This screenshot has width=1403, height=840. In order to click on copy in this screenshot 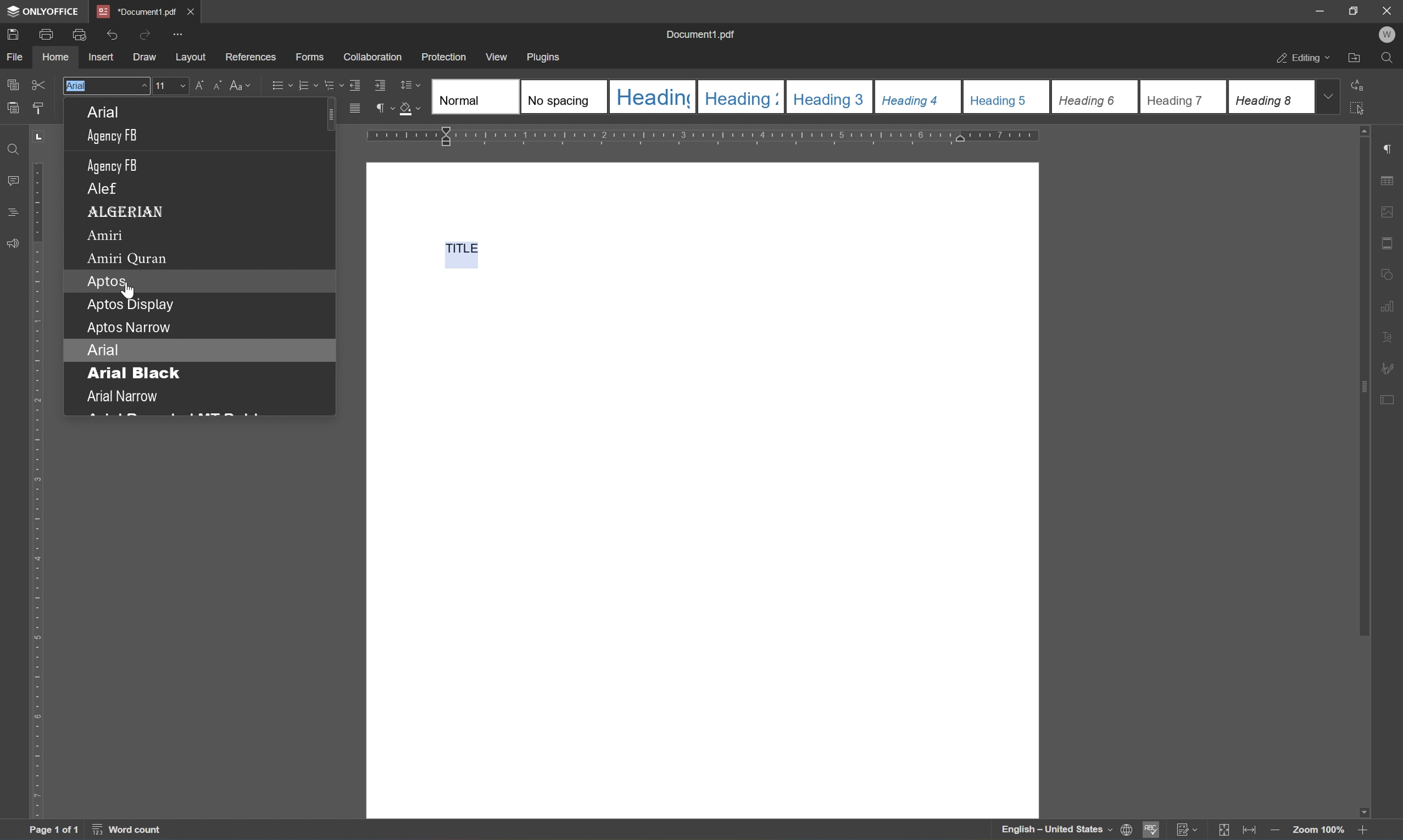, I will do `click(10, 85)`.